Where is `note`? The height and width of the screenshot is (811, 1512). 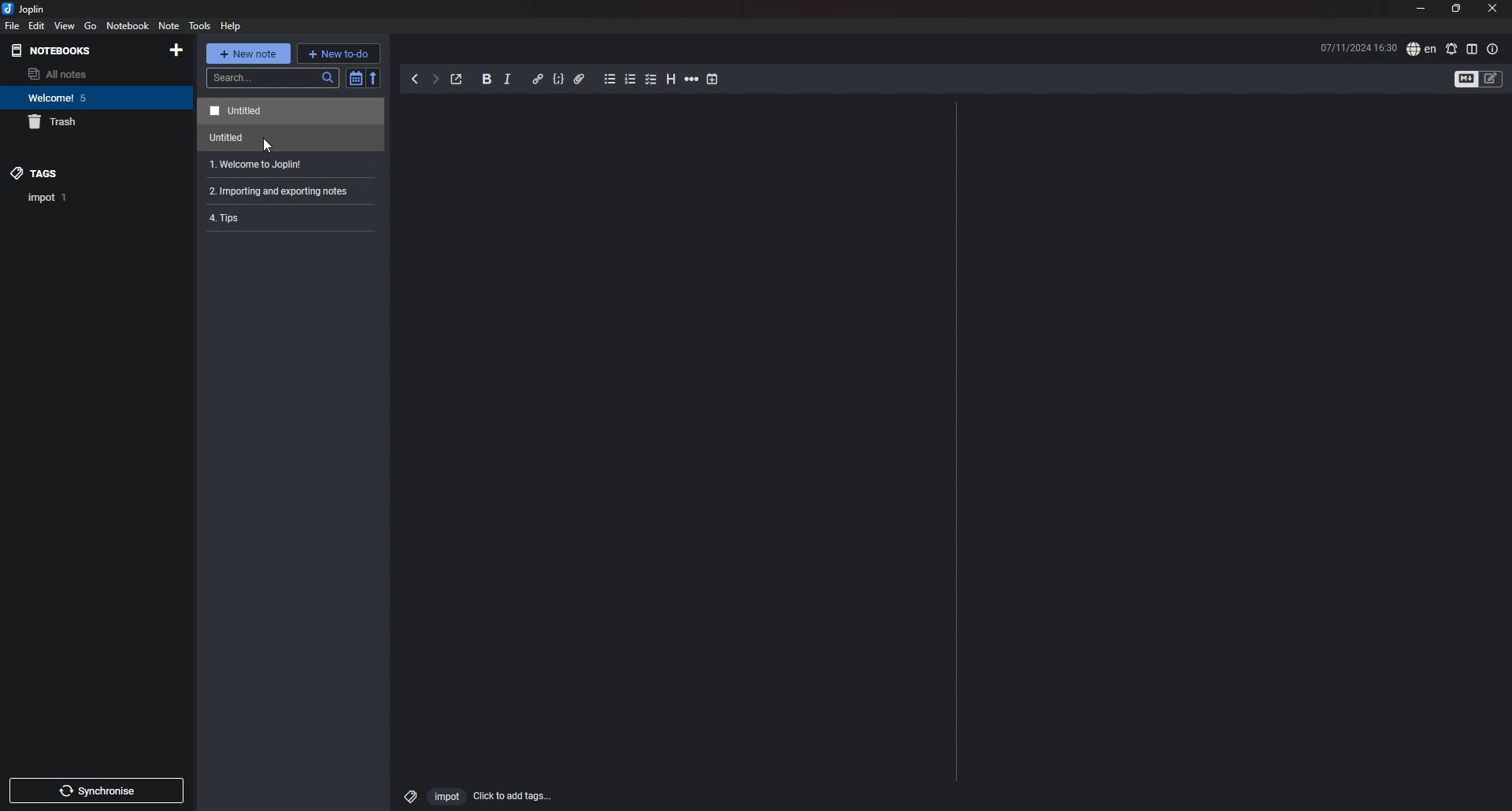 note is located at coordinates (169, 25).